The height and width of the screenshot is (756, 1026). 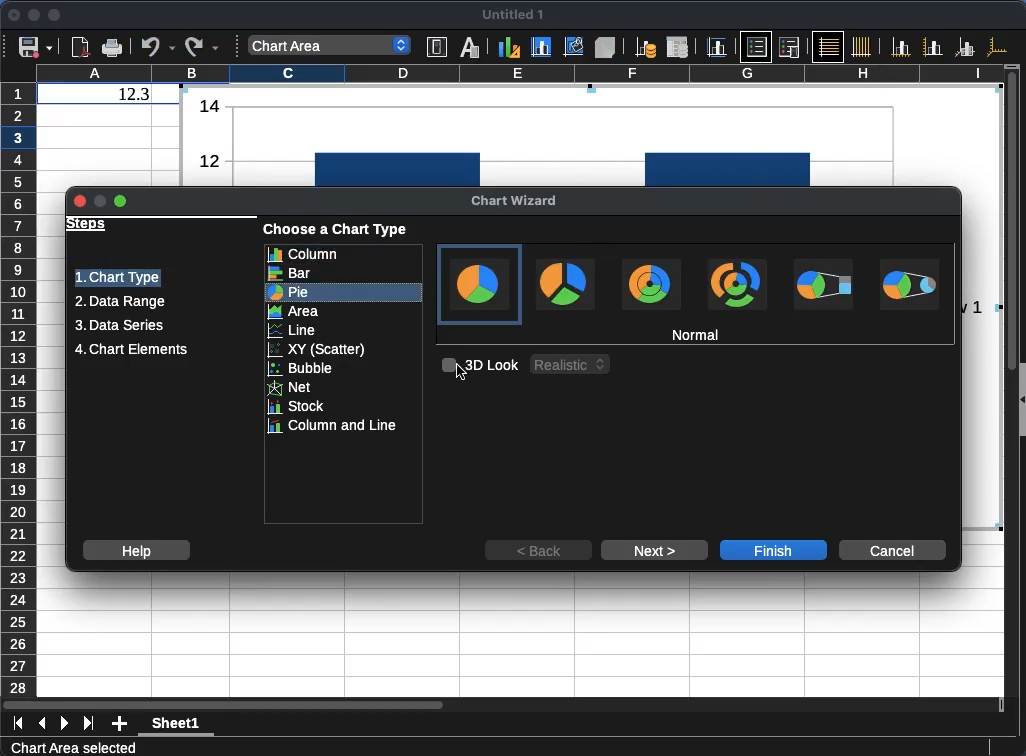 I want to click on Vertical grids, so click(x=862, y=46).